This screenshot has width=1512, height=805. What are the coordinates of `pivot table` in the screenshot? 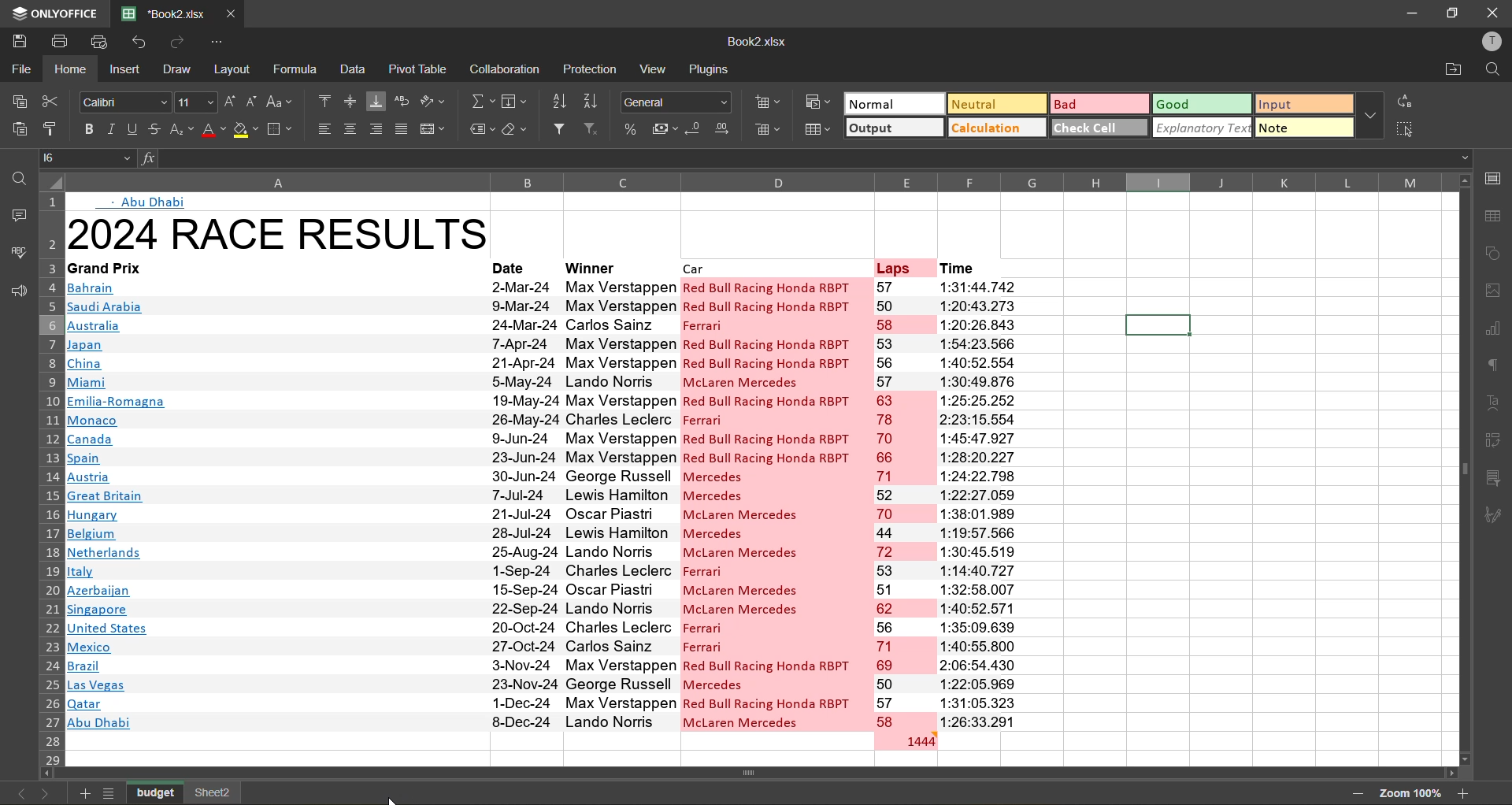 It's located at (419, 69).